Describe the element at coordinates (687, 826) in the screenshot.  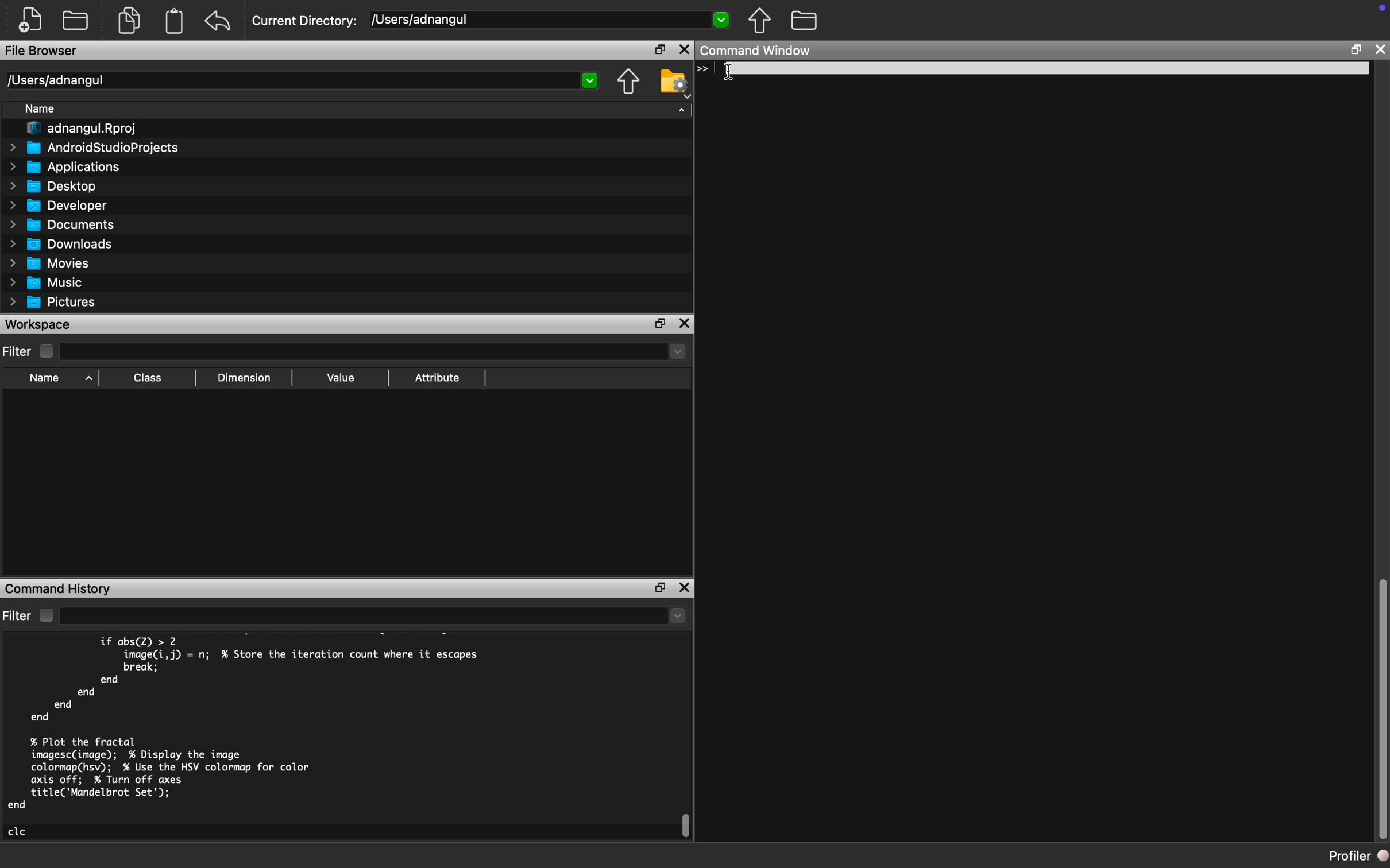
I see `Scroll` at that location.